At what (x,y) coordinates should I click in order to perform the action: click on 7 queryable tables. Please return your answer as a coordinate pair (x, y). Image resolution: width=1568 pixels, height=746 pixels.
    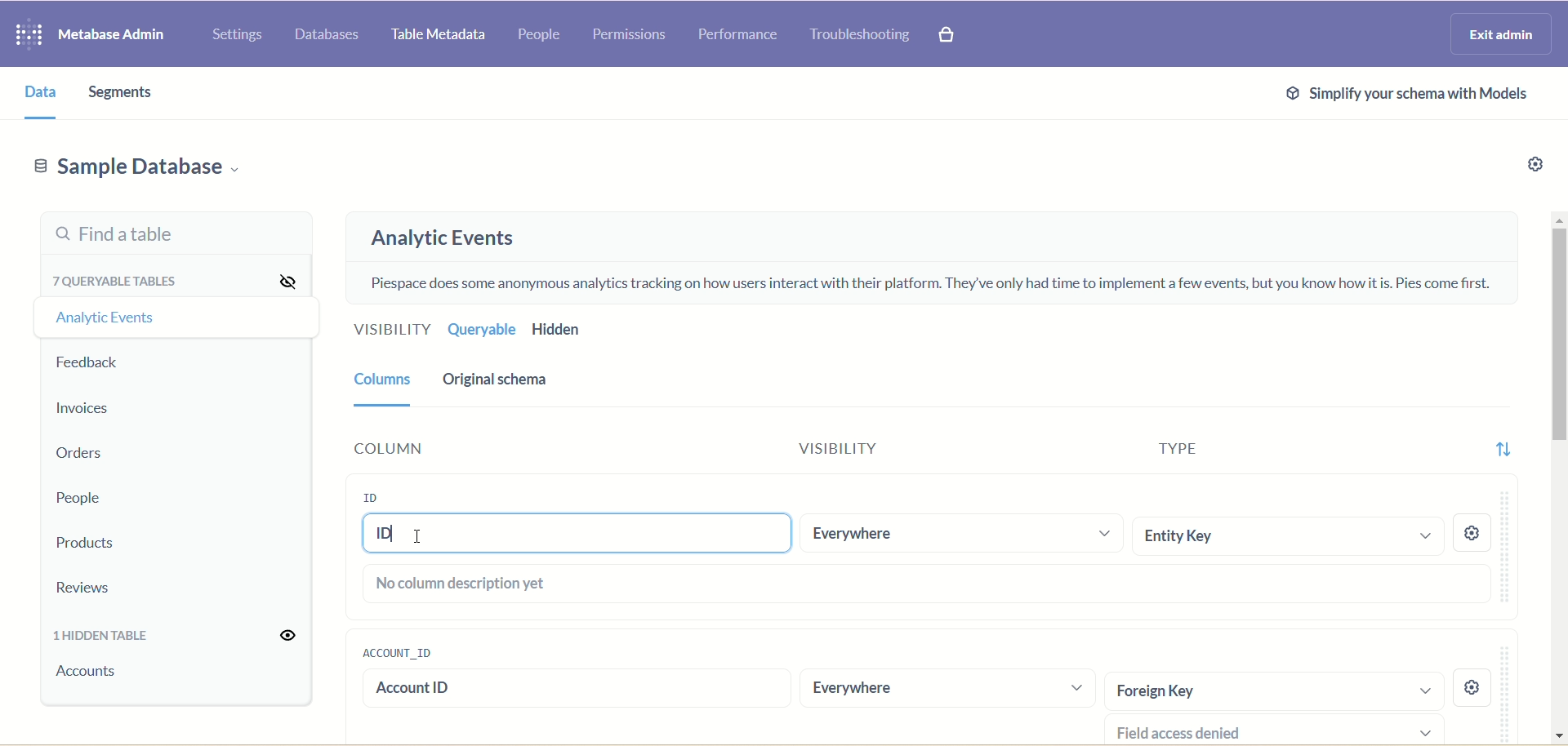
    Looking at the image, I should click on (111, 280).